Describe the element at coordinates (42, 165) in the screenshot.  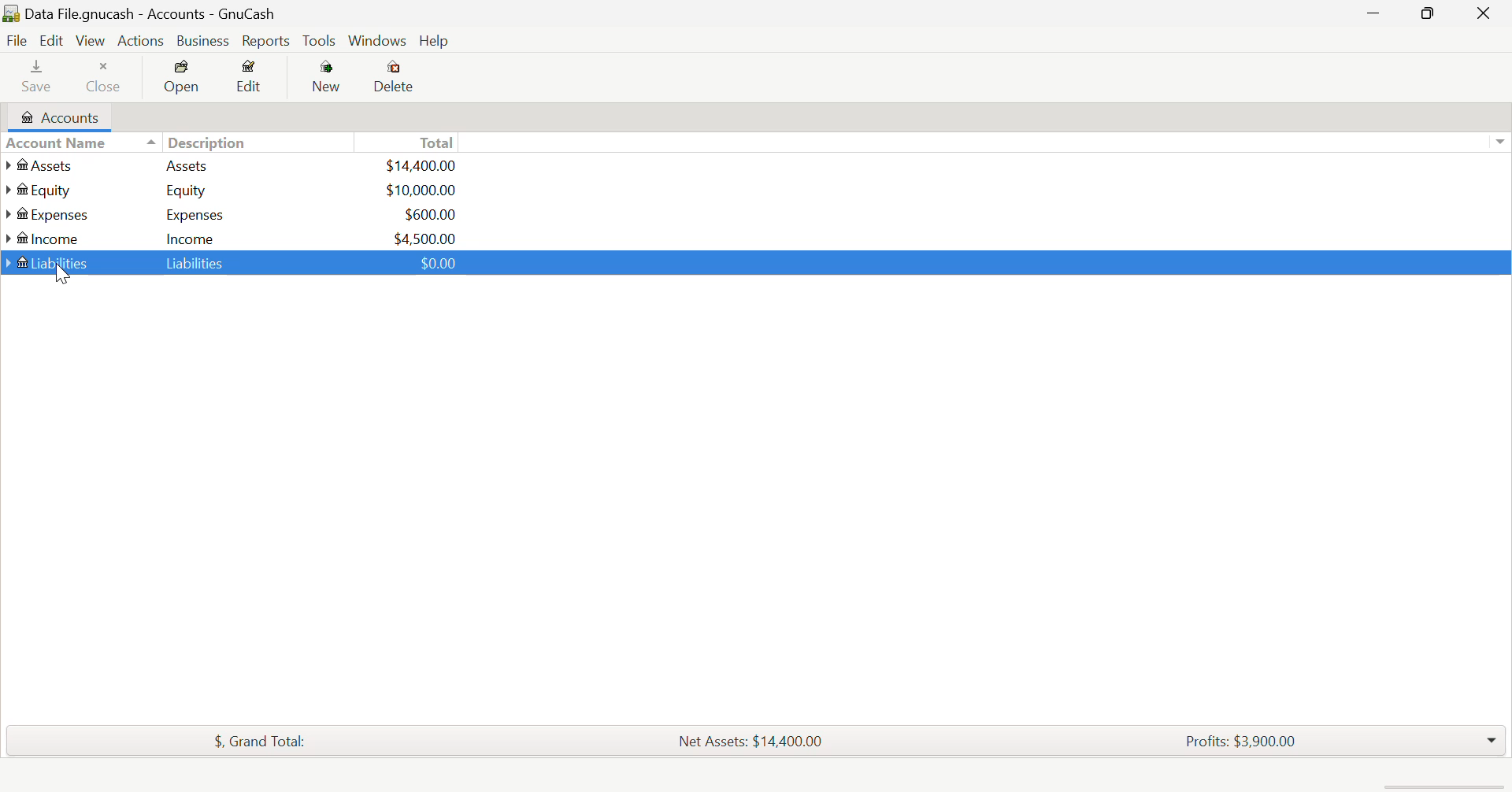
I see `Assets Account` at that location.